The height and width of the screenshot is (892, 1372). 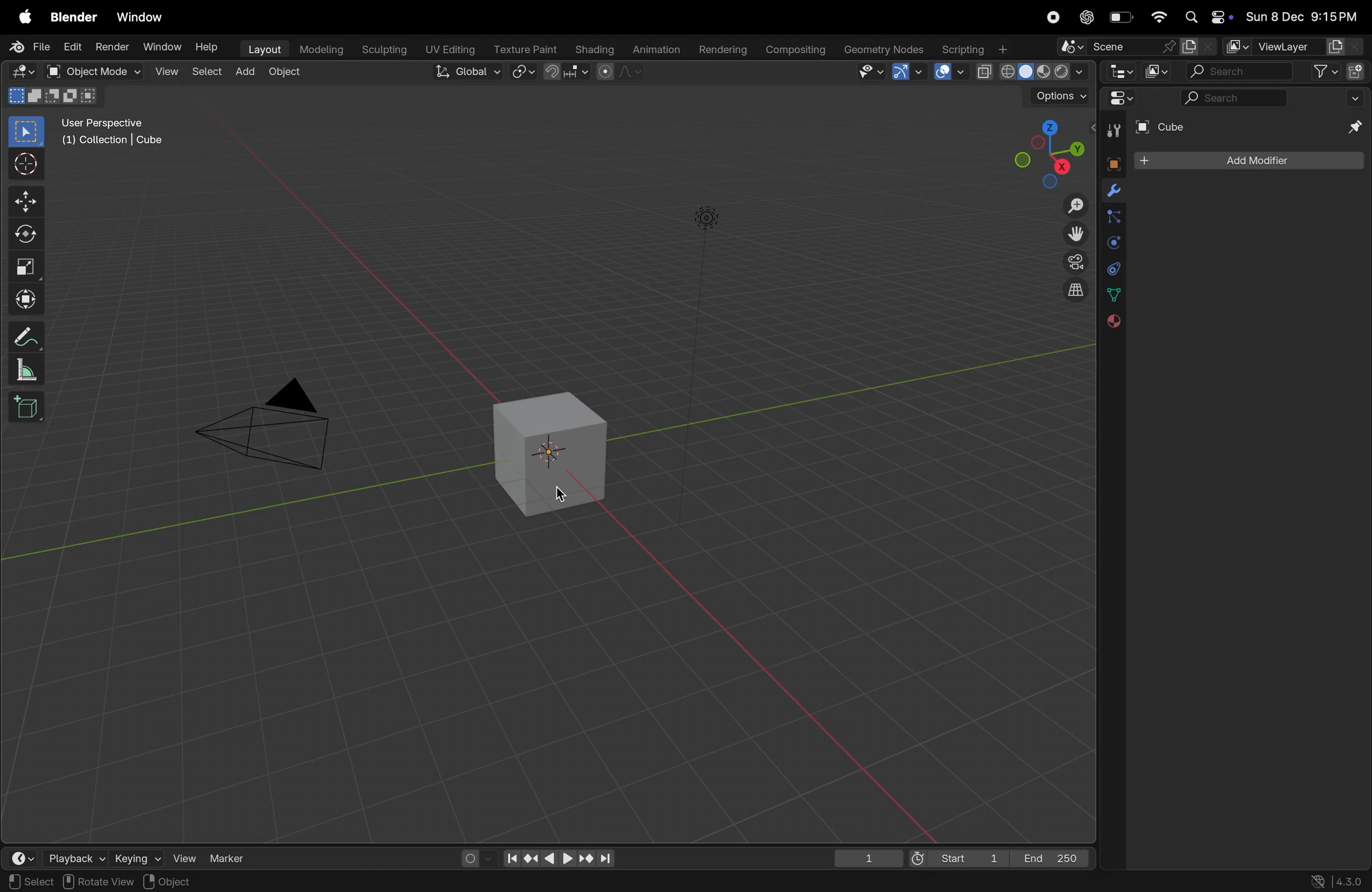 What do you see at coordinates (275, 429) in the screenshot?
I see `perspective camera` at bounding box center [275, 429].